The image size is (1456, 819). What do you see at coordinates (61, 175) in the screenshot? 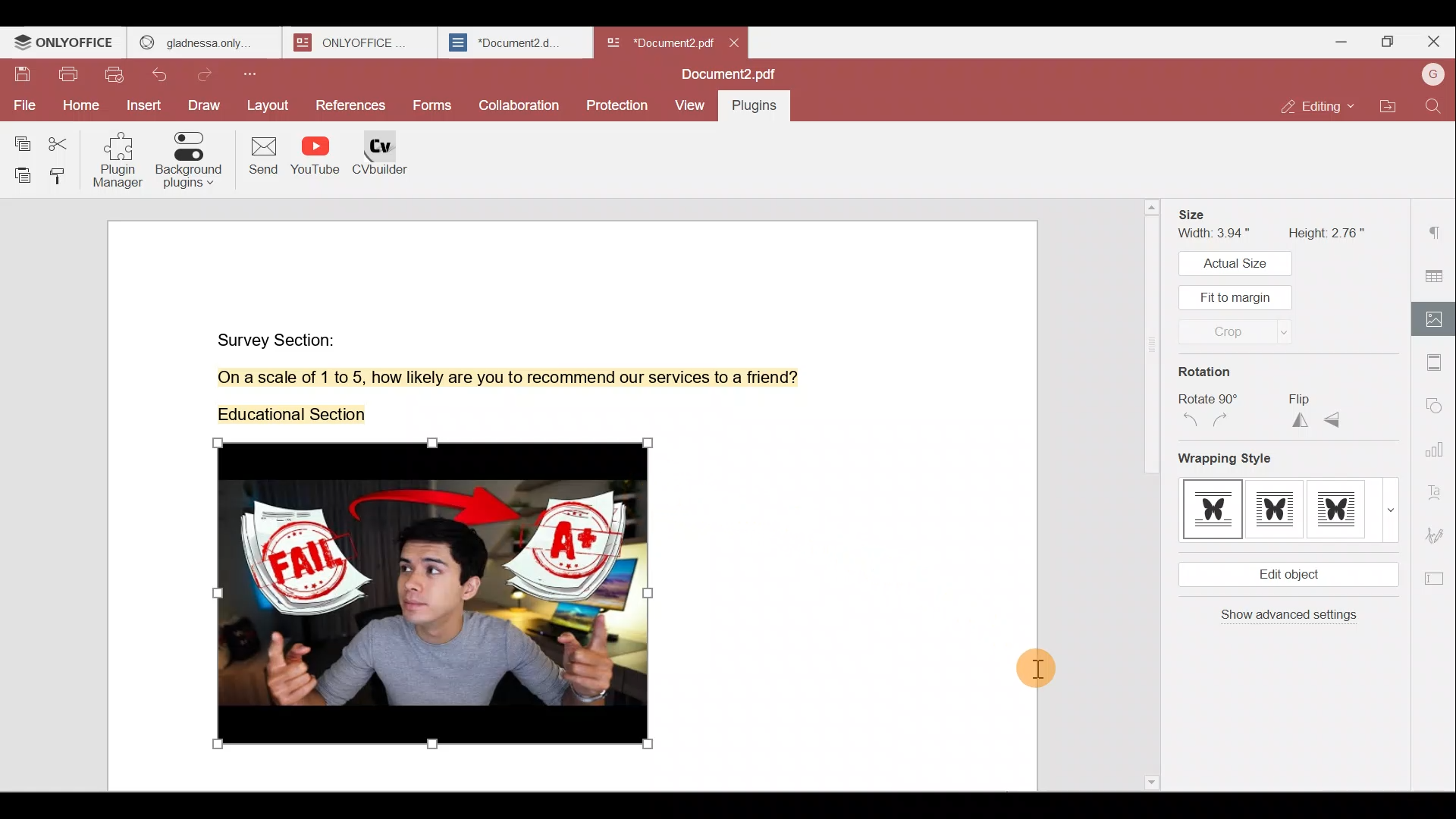
I see `Copy style` at bounding box center [61, 175].